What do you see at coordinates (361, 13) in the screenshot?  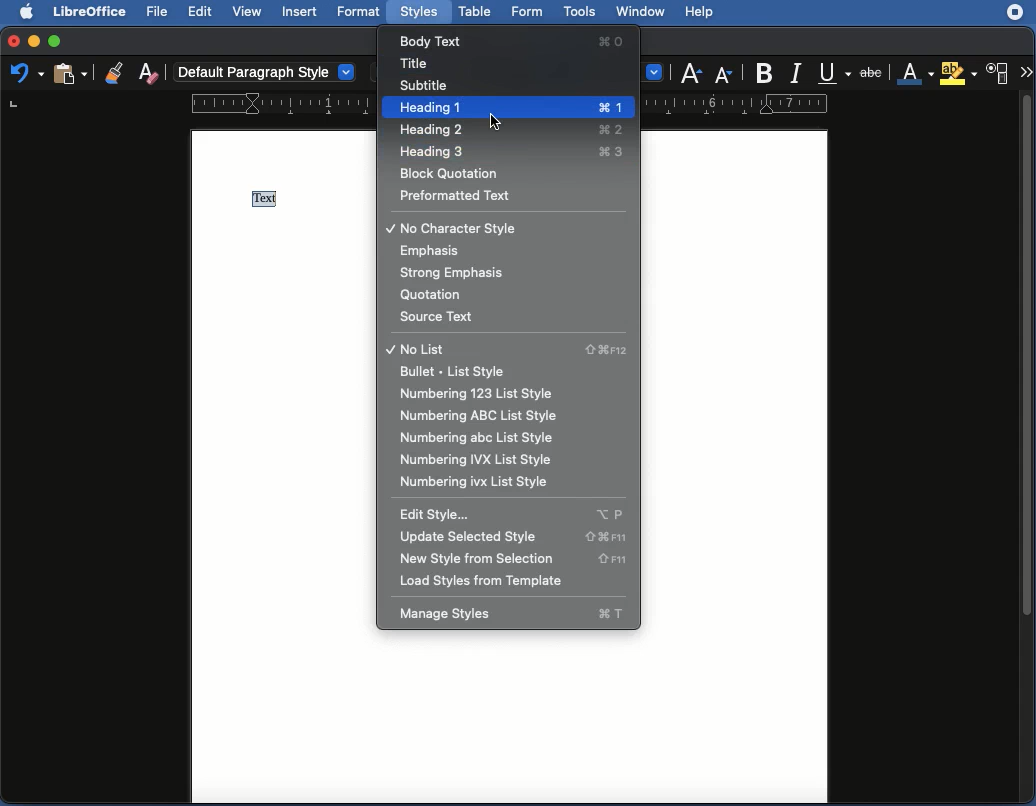 I see `Format` at bounding box center [361, 13].